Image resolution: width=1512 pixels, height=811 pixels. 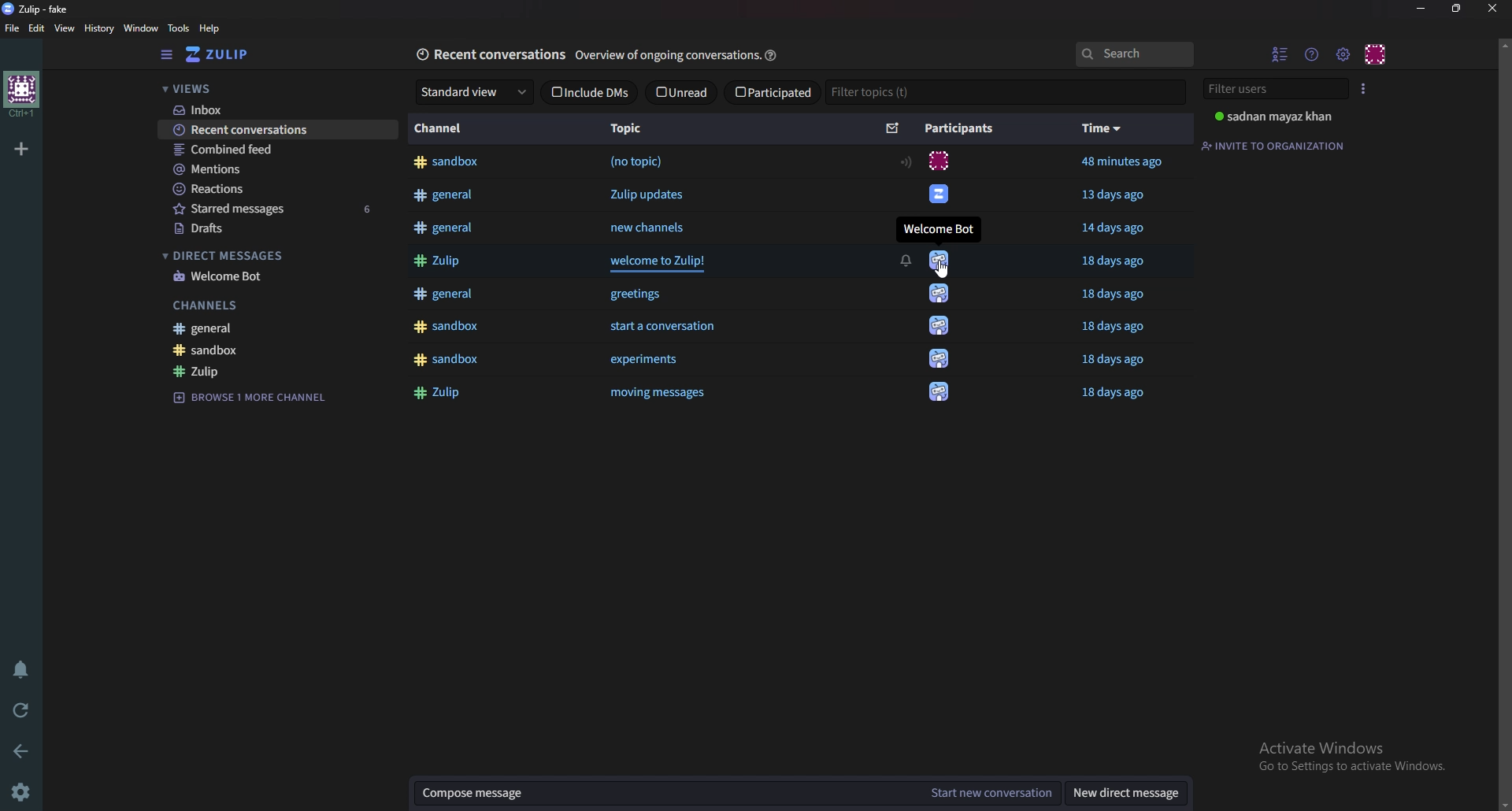 I want to click on Filter users, so click(x=1275, y=87).